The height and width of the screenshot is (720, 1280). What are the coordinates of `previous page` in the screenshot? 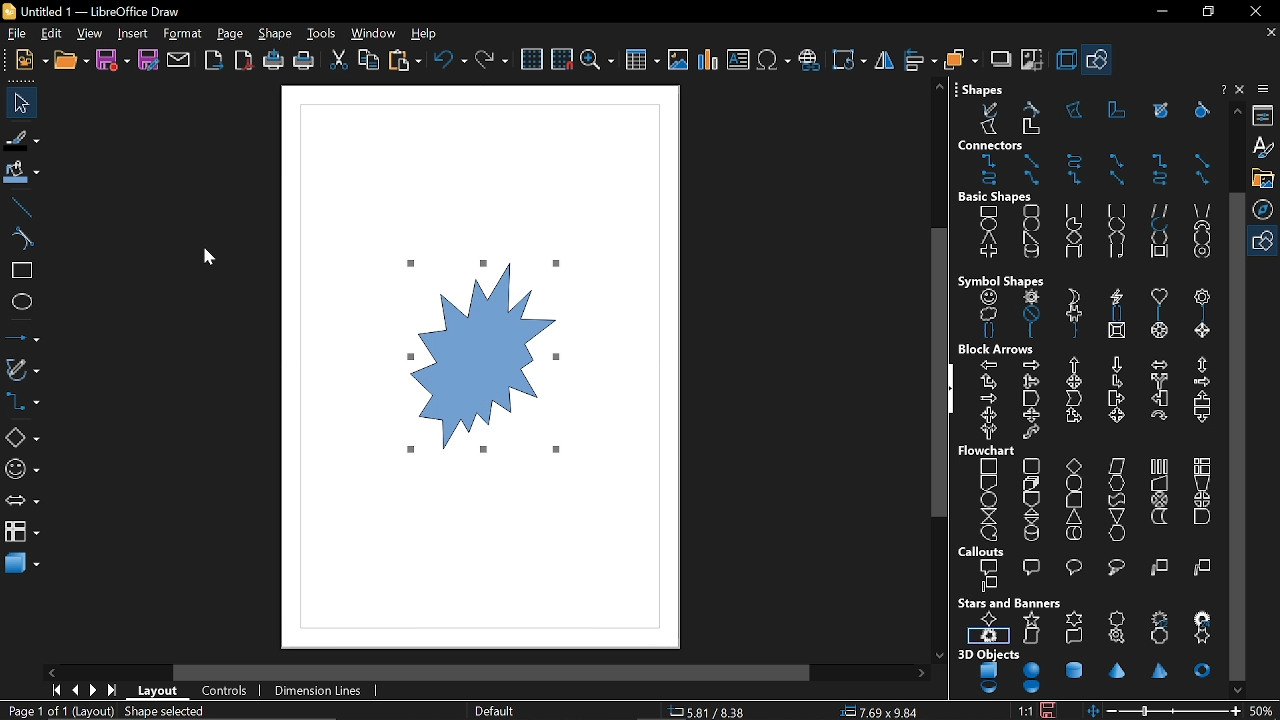 It's located at (75, 691).